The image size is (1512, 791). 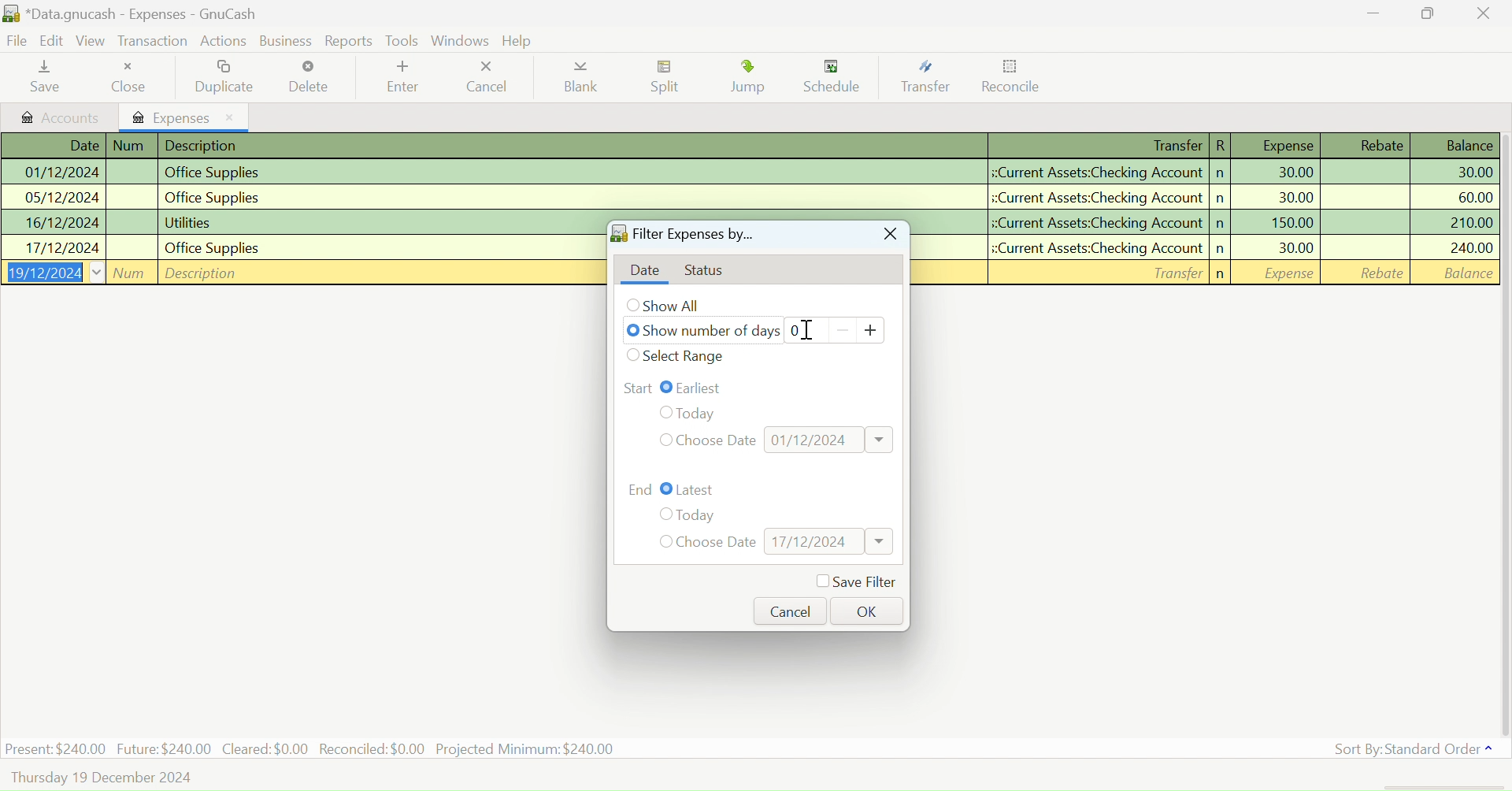 I want to click on Checkbox, so click(x=663, y=514).